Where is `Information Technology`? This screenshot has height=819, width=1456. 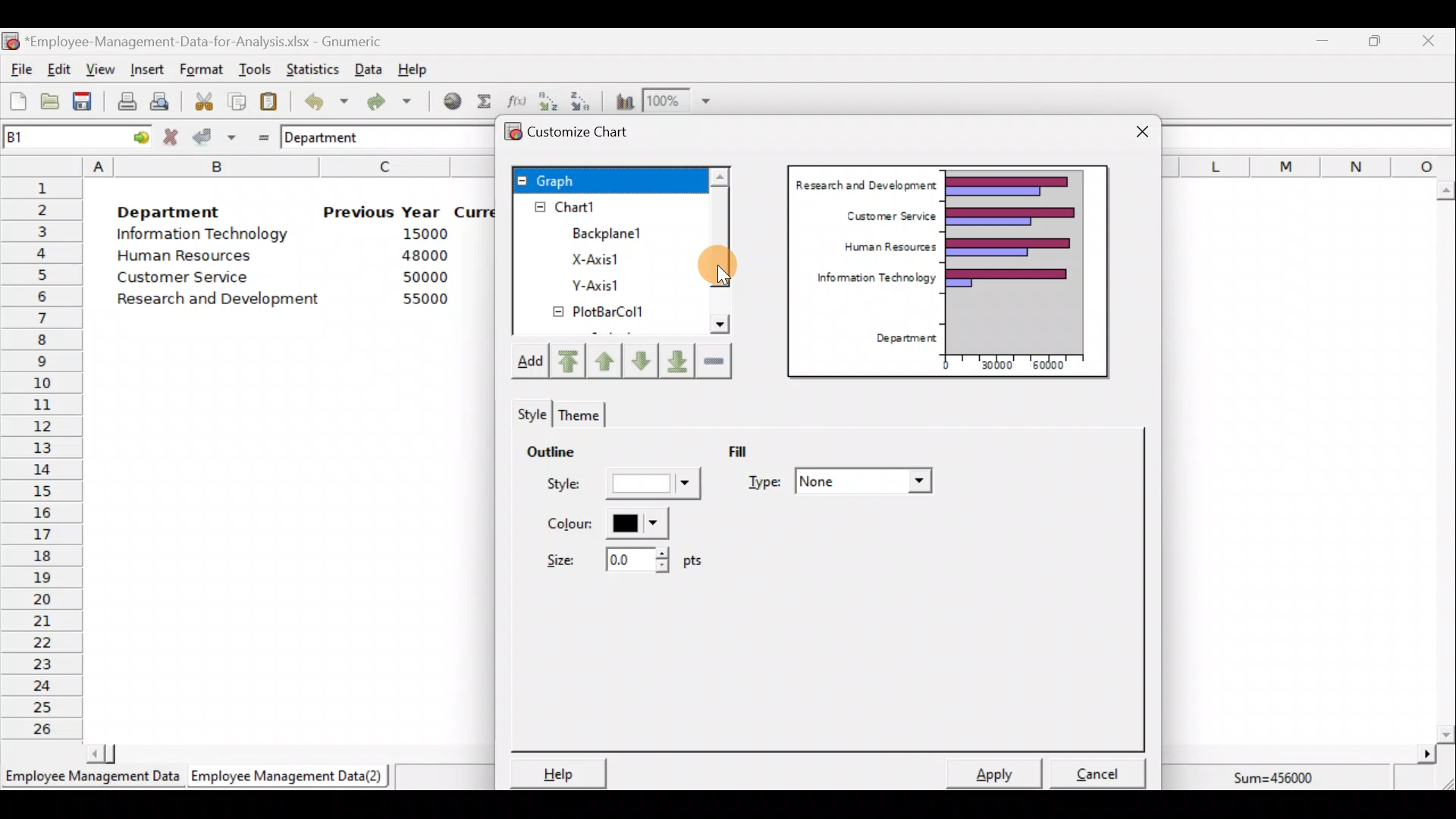
Information Technology is located at coordinates (869, 281).